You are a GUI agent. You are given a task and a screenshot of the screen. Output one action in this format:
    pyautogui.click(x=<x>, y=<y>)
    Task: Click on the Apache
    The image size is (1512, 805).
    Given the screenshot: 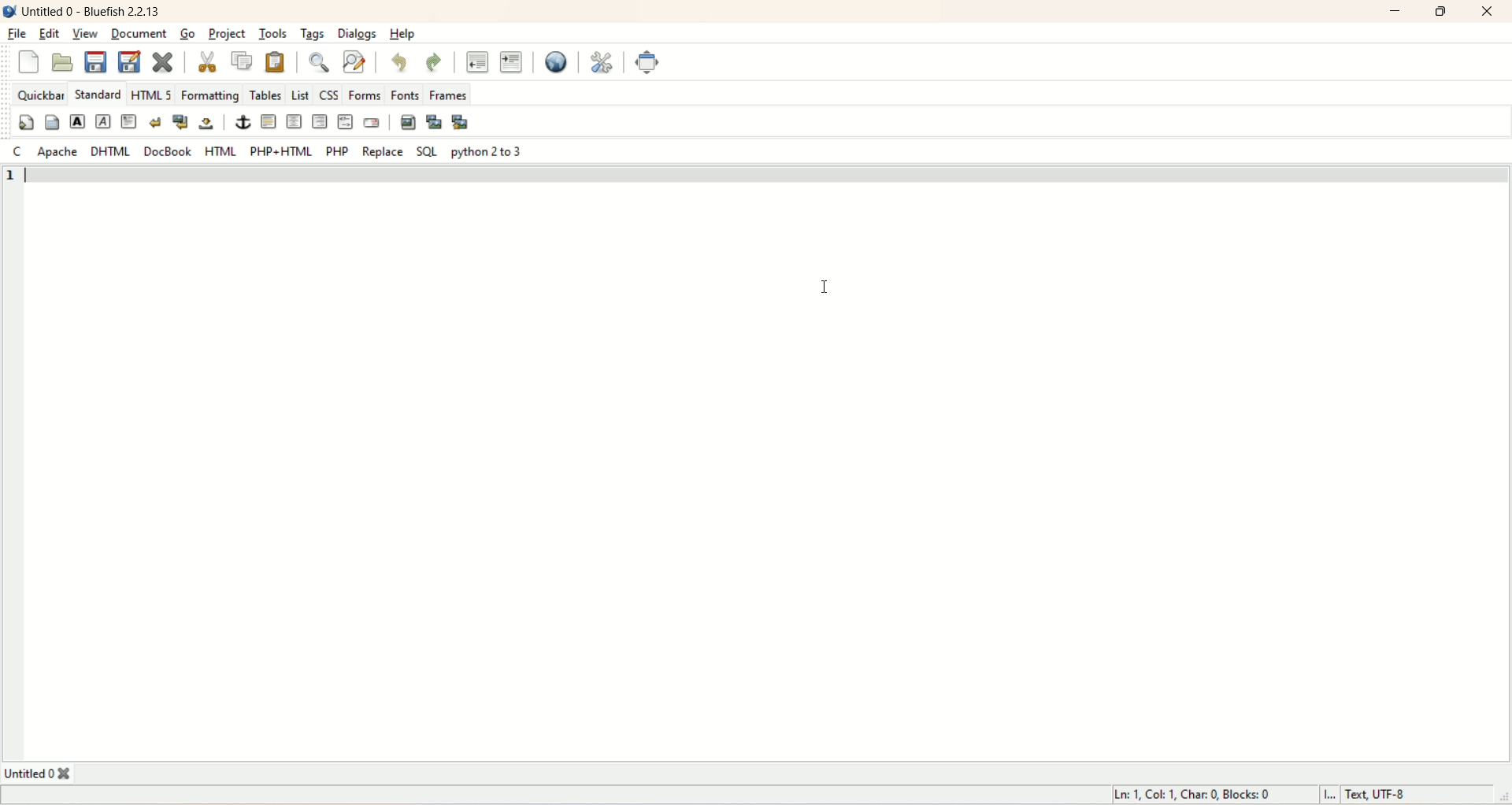 What is the action you would take?
    pyautogui.click(x=57, y=152)
    